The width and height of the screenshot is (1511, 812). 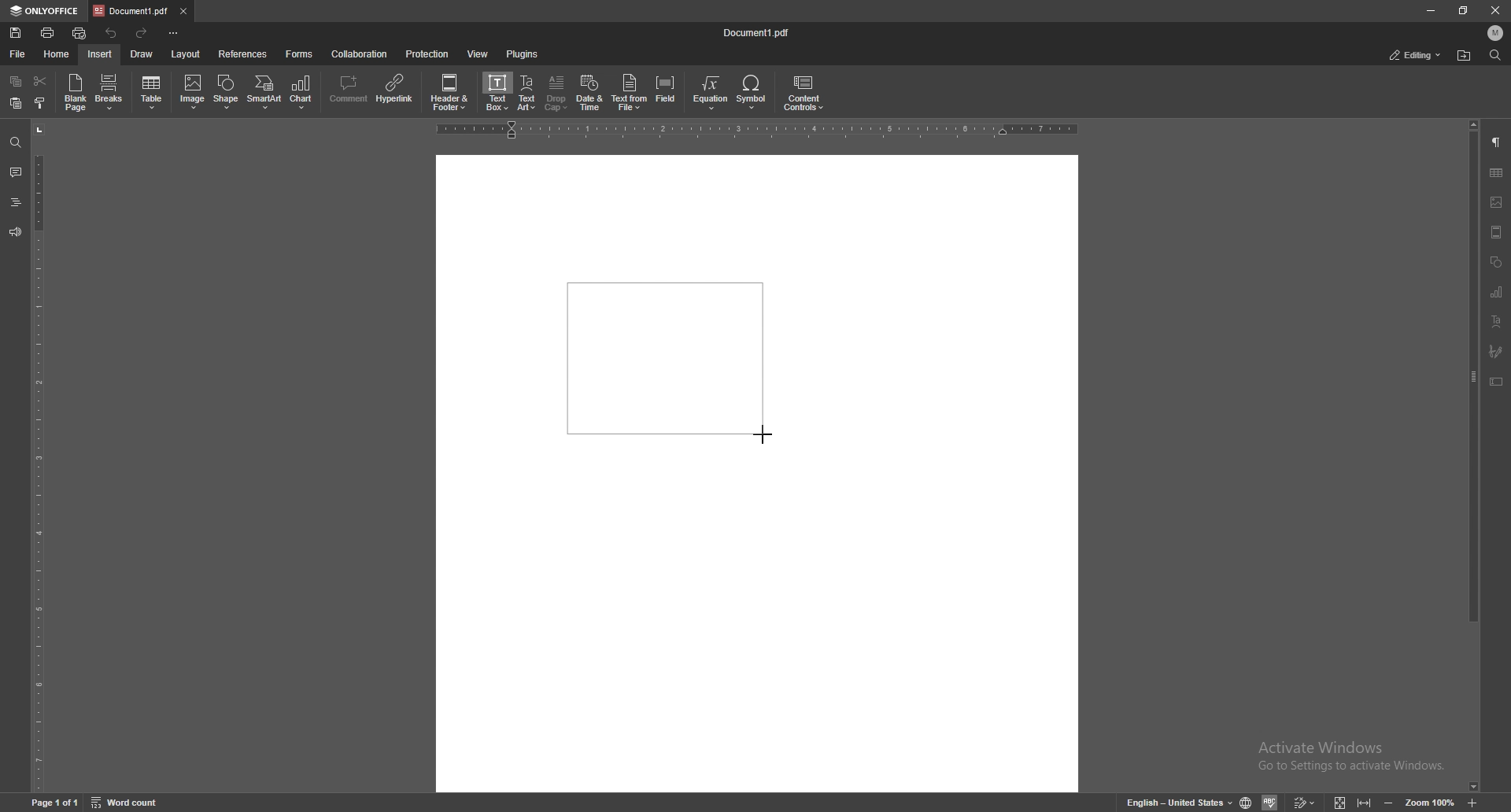 What do you see at coordinates (453, 91) in the screenshot?
I see `header and footer` at bounding box center [453, 91].